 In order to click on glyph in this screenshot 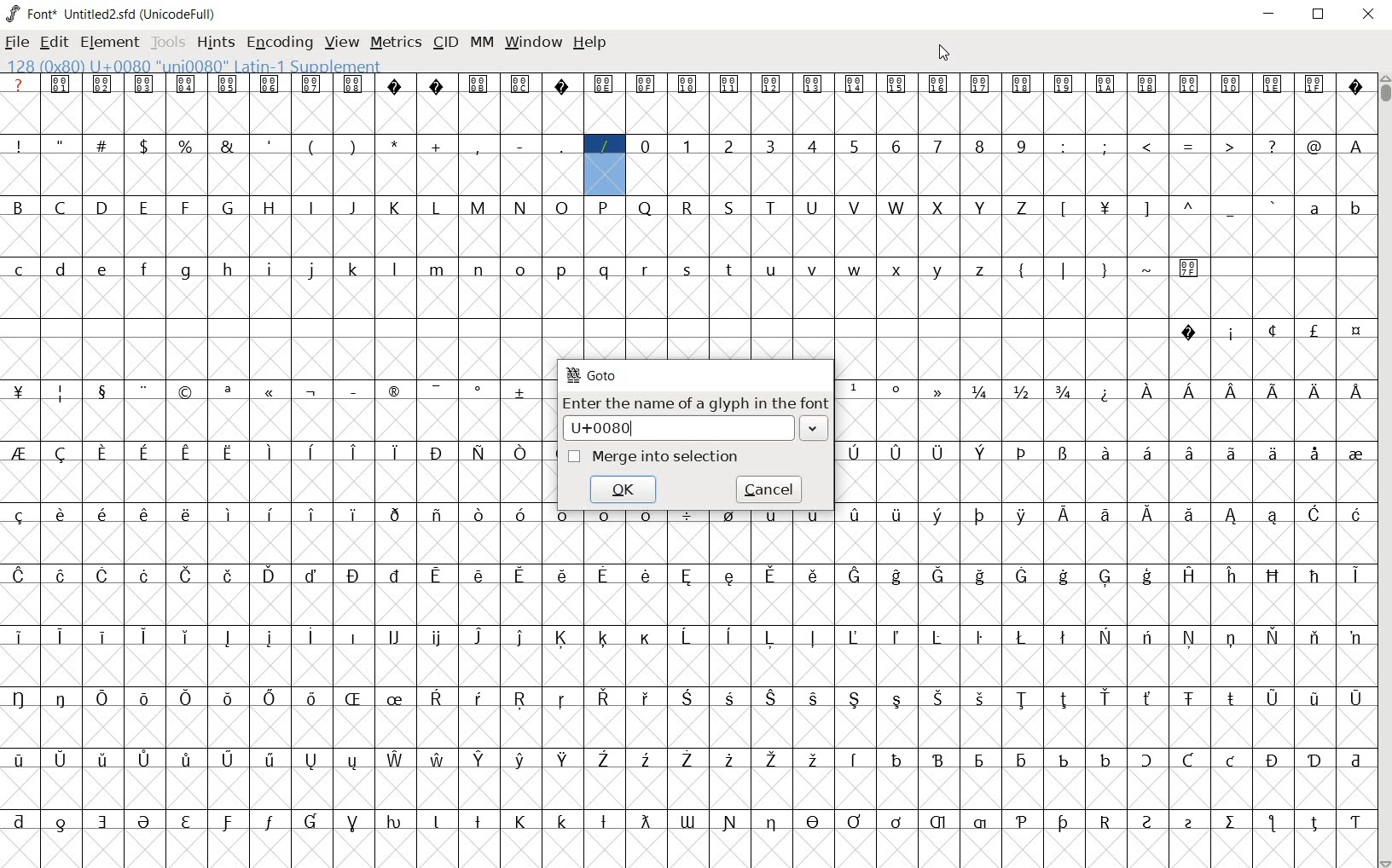, I will do `click(186, 84)`.